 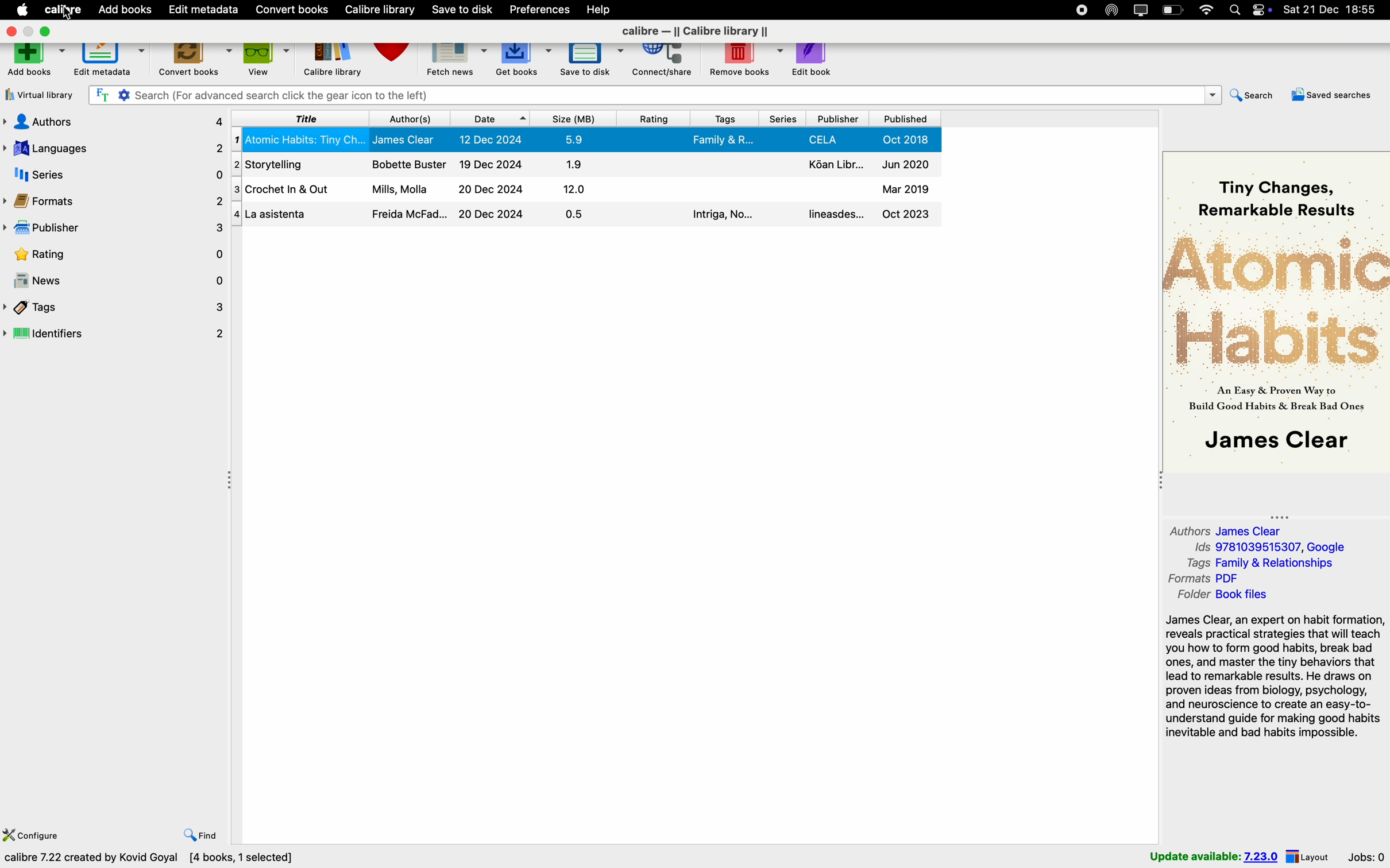 I want to click on published, so click(x=904, y=119).